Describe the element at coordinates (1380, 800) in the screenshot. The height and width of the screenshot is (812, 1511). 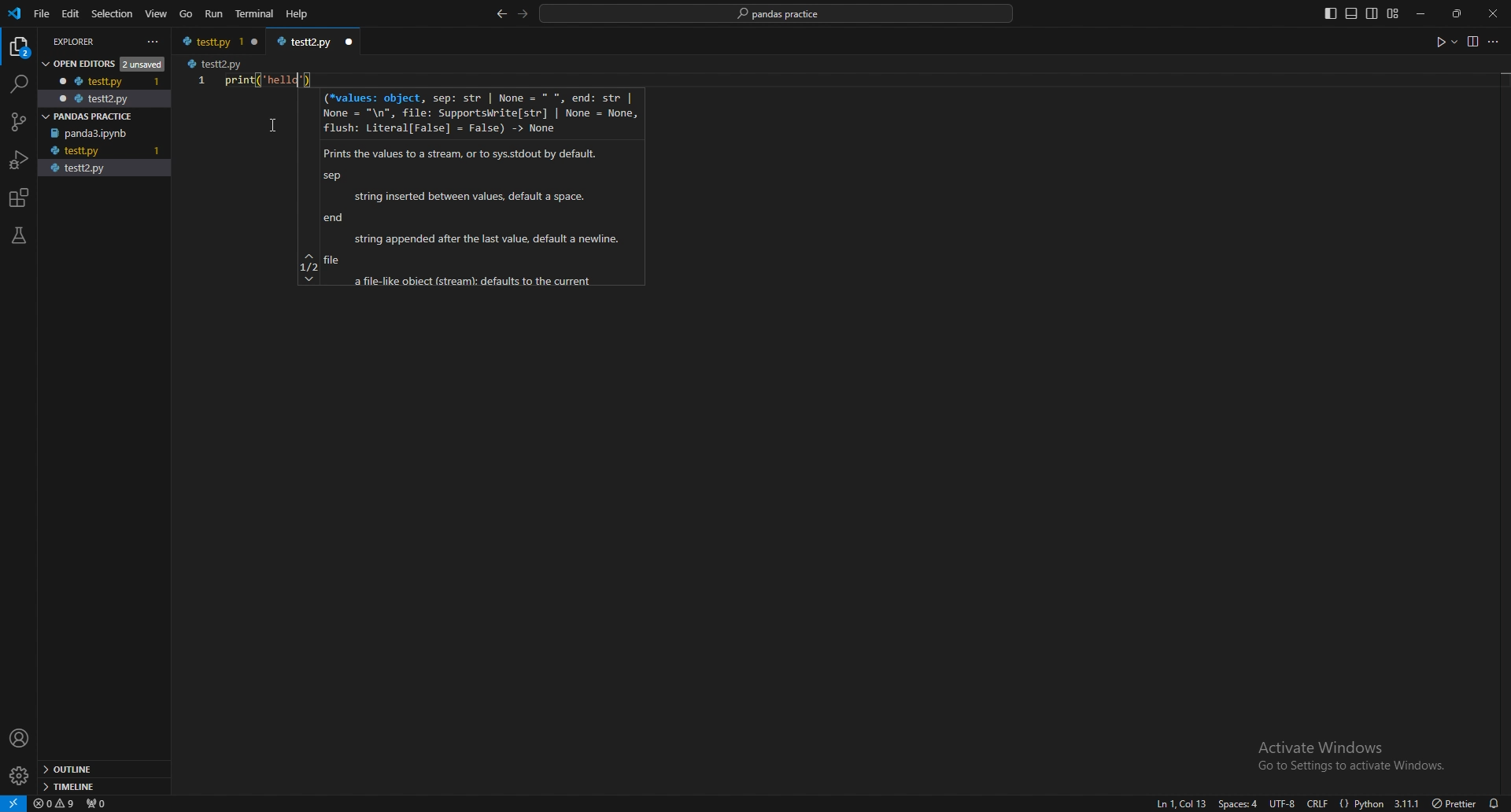
I see `{} Python 3.11.1` at that location.